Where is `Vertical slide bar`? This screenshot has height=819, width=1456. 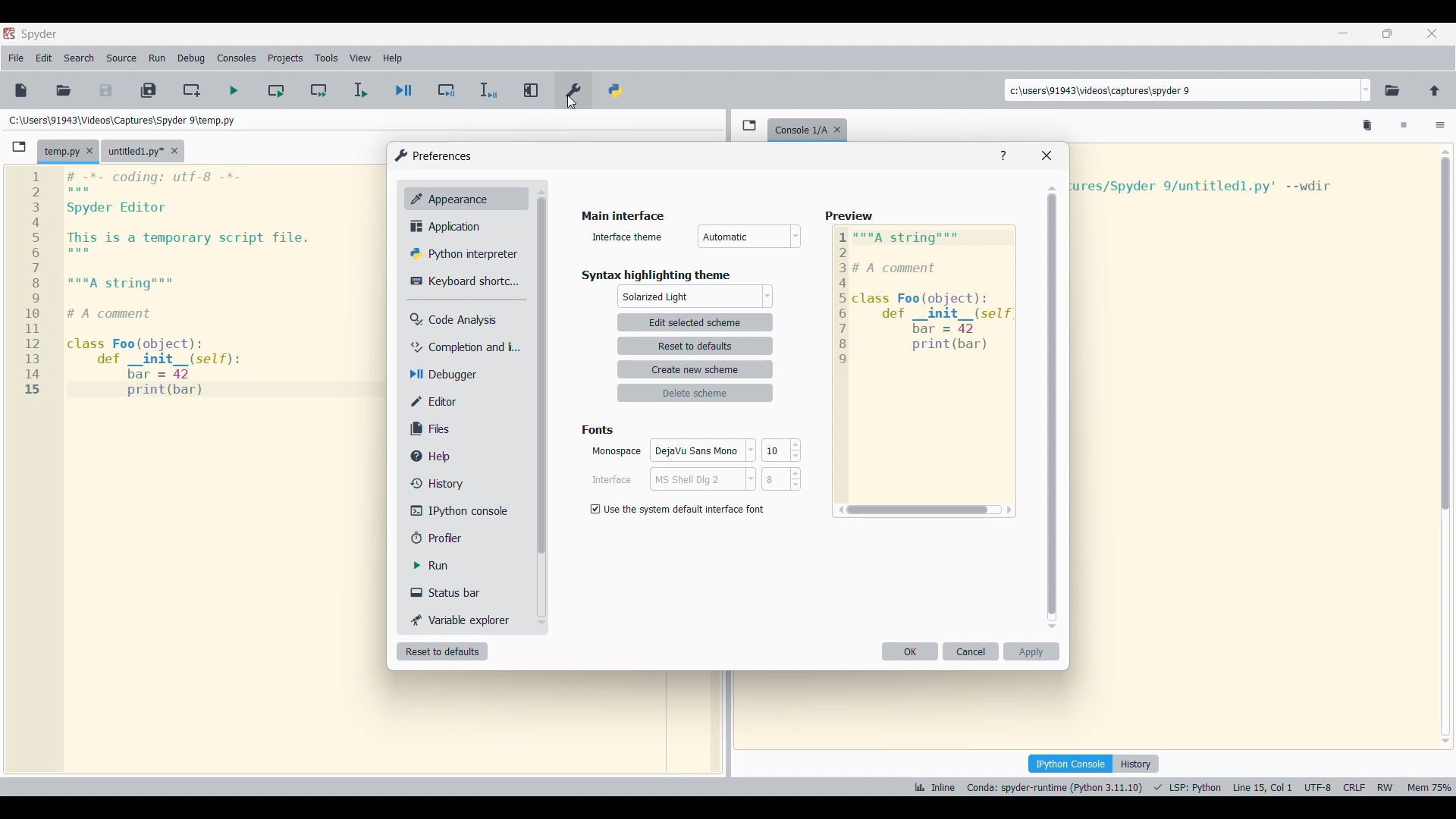 Vertical slide bar is located at coordinates (1053, 408).